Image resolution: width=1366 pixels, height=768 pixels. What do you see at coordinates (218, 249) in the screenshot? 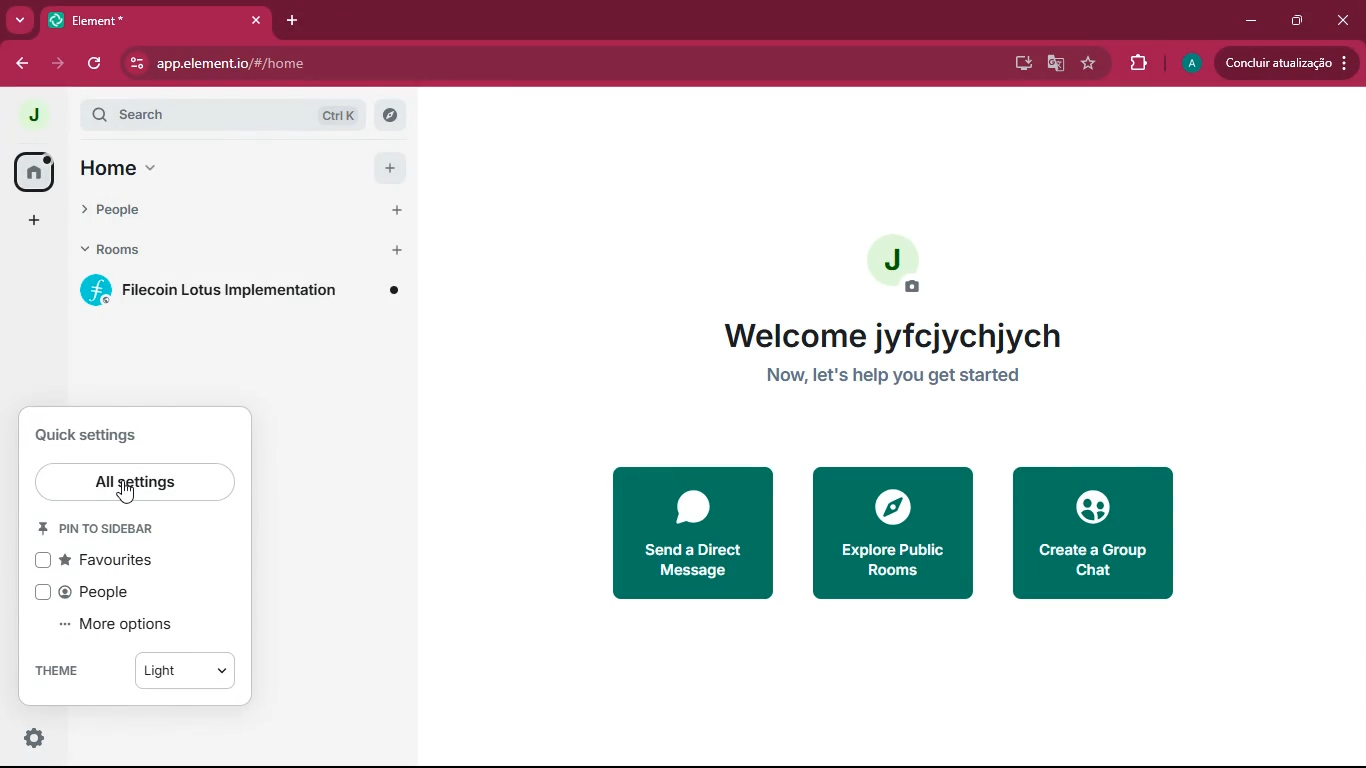
I see `rooms` at bounding box center [218, 249].